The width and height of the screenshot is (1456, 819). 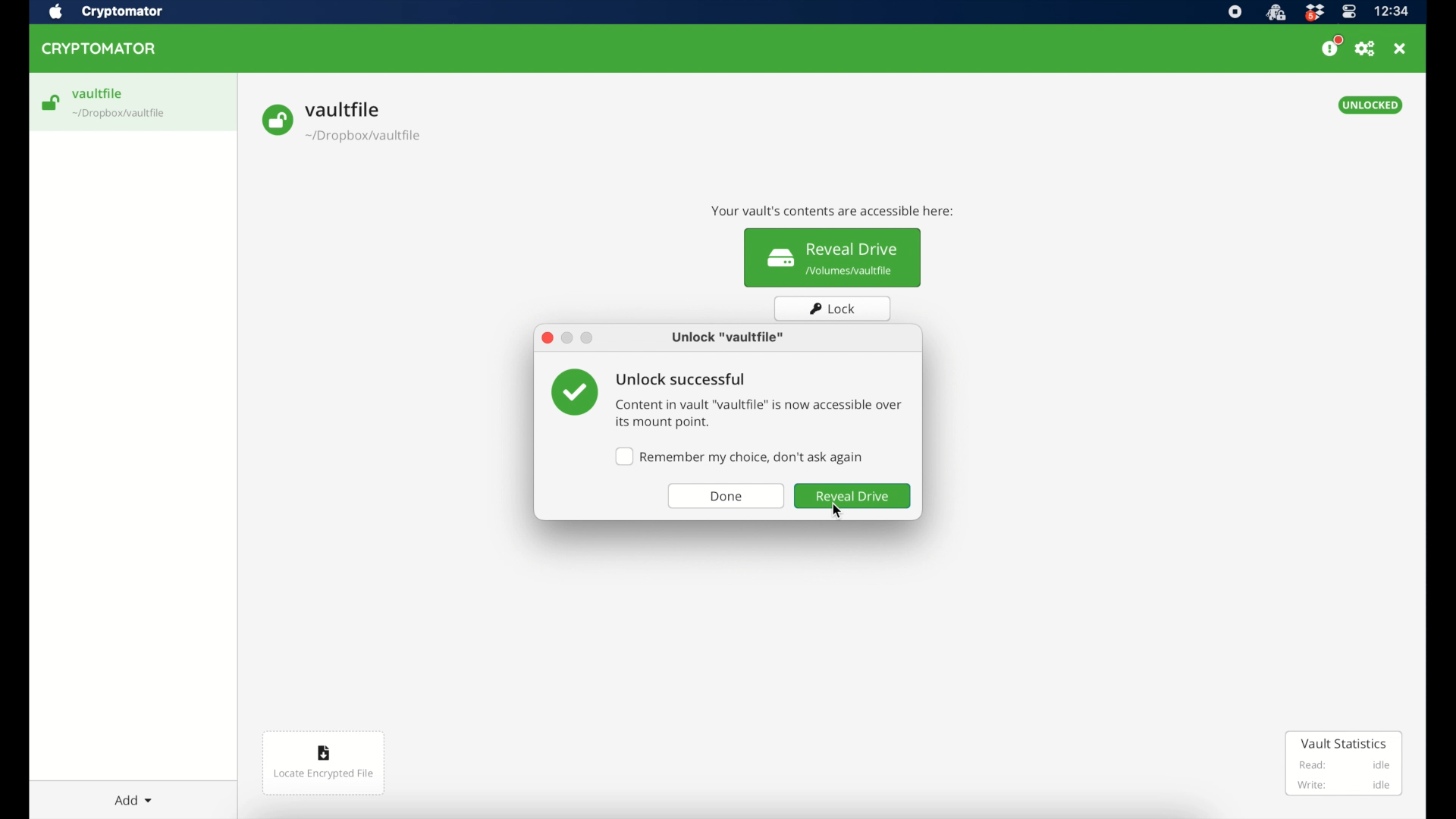 What do you see at coordinates (834, 309) in the screenshot?
I see `lock` at bounding box center [834, 309].